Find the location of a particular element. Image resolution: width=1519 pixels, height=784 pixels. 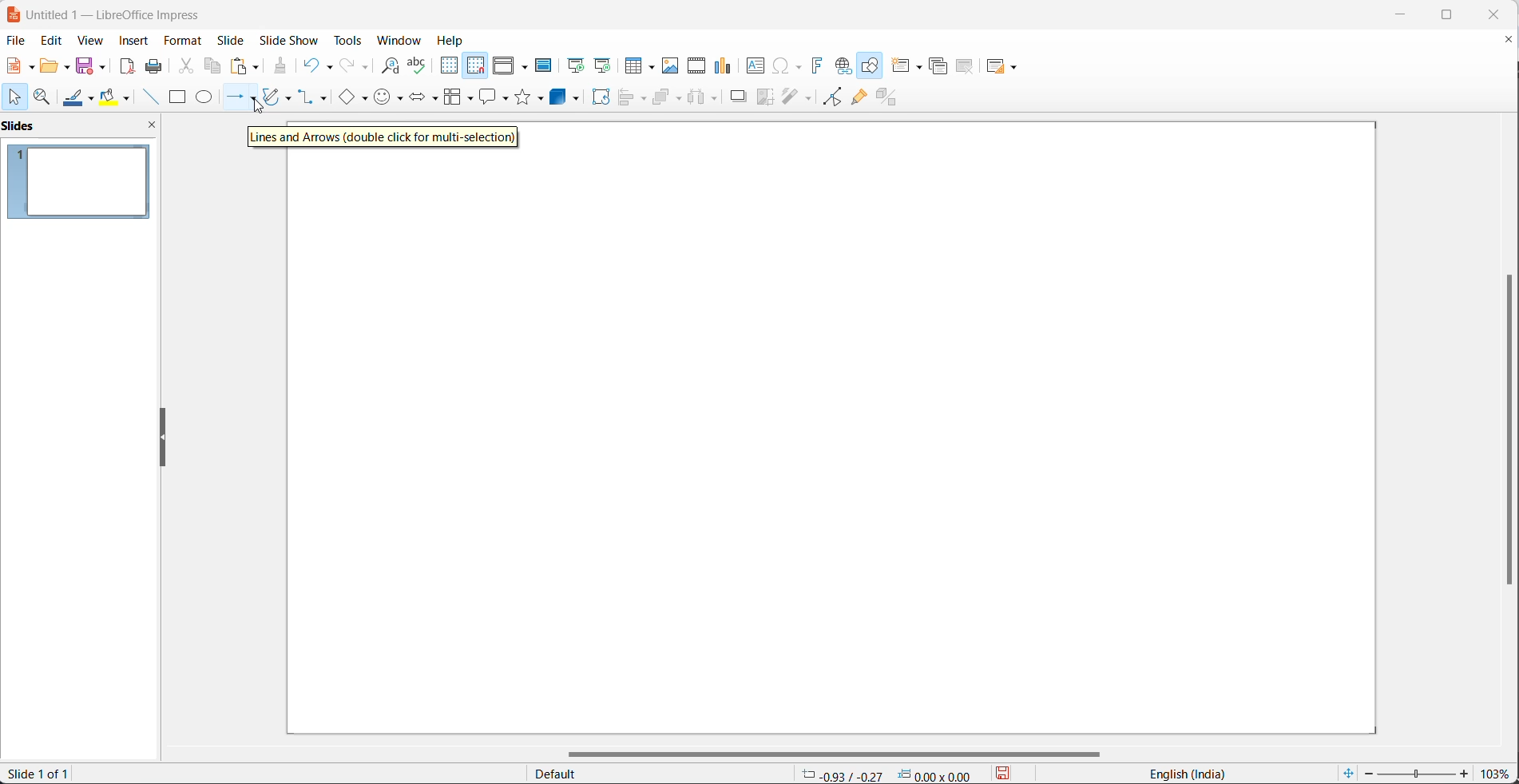

insert audio and video is located at coordinates (696, 66).